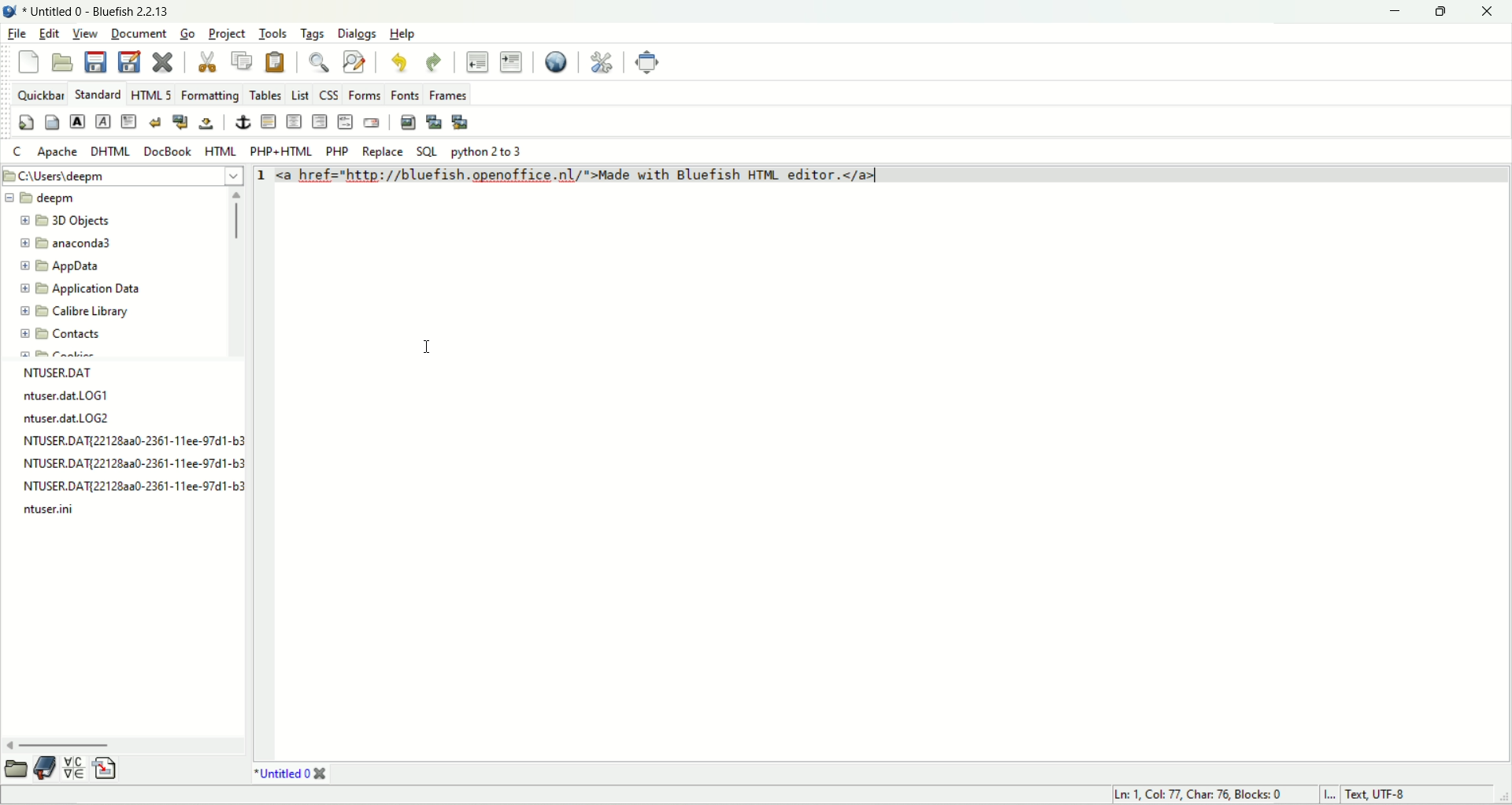  Describe the element at coordinates (65, 269) in the screenshot. I see `app data` at that location.